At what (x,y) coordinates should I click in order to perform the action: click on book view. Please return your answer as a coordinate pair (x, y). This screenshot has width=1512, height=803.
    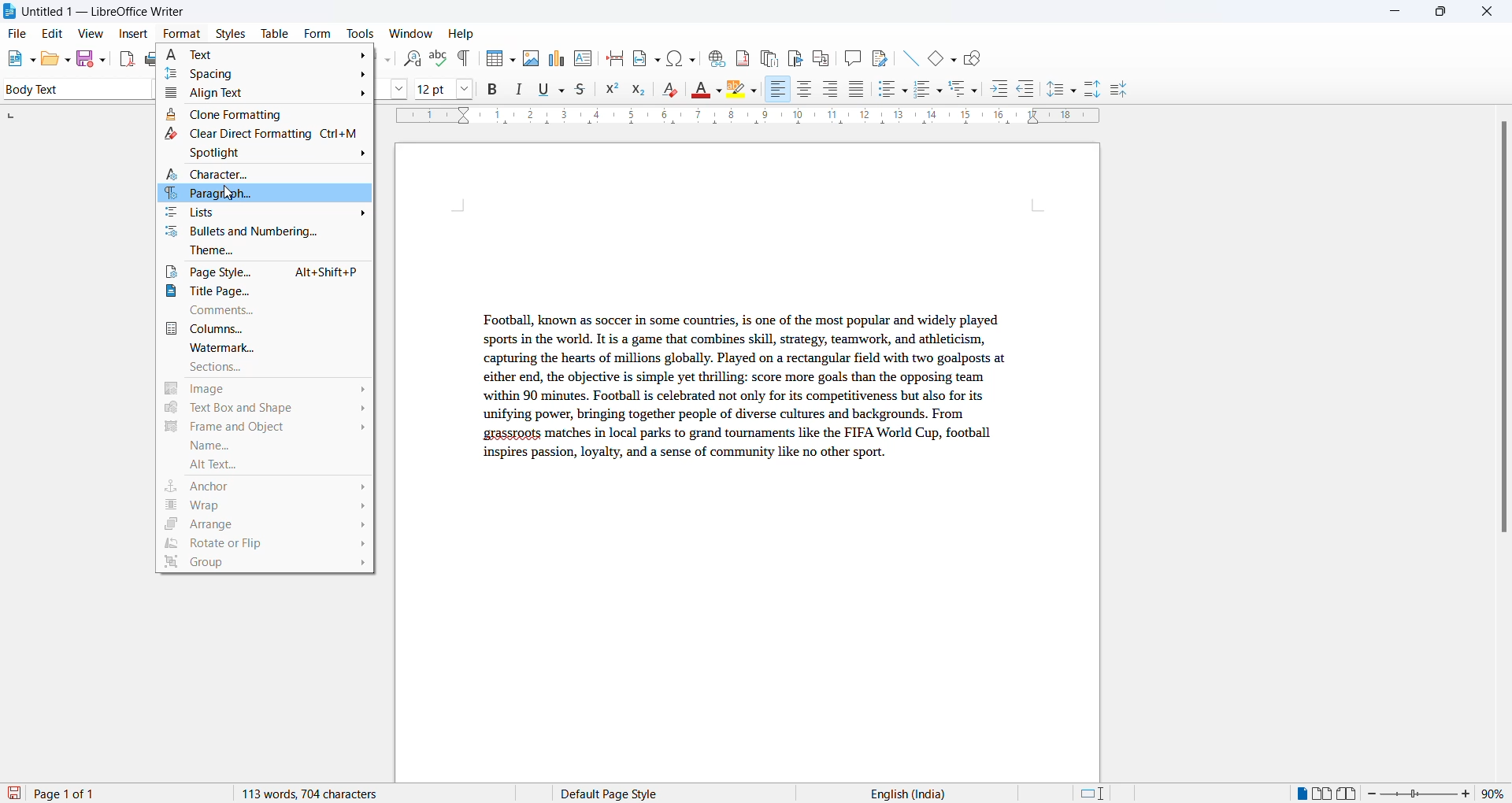
    Looking at the image, I should click on (1351, 794).